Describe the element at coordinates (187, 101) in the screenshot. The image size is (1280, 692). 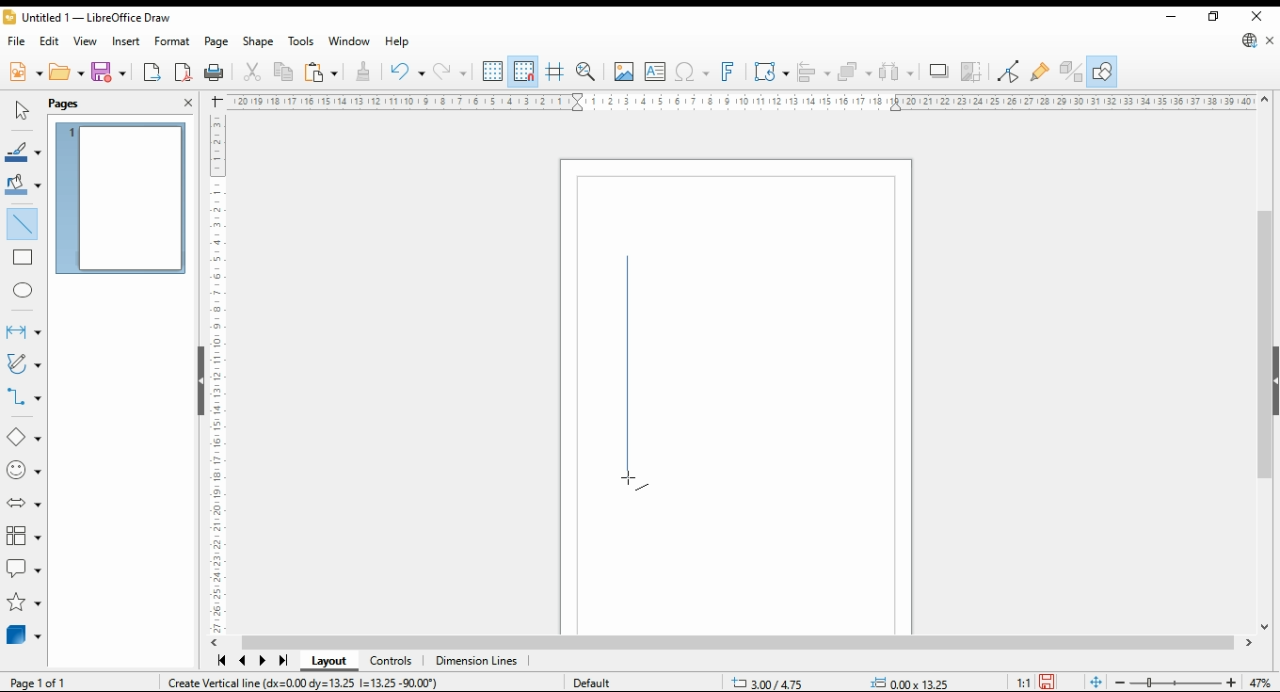
I see `close pane` at that location.